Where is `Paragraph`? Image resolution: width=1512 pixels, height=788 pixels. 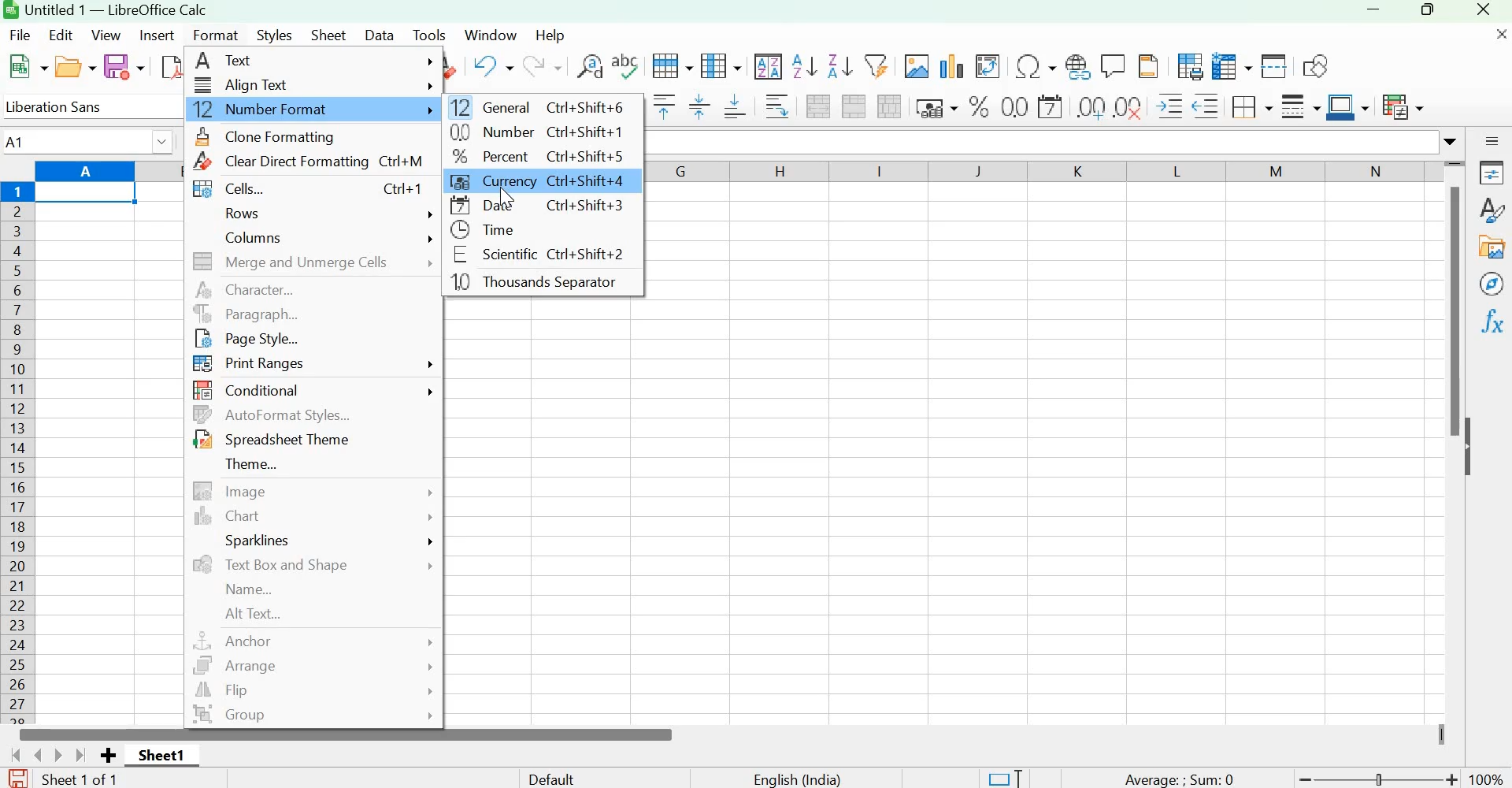
Paragraph is located at coordinates (313, 314).